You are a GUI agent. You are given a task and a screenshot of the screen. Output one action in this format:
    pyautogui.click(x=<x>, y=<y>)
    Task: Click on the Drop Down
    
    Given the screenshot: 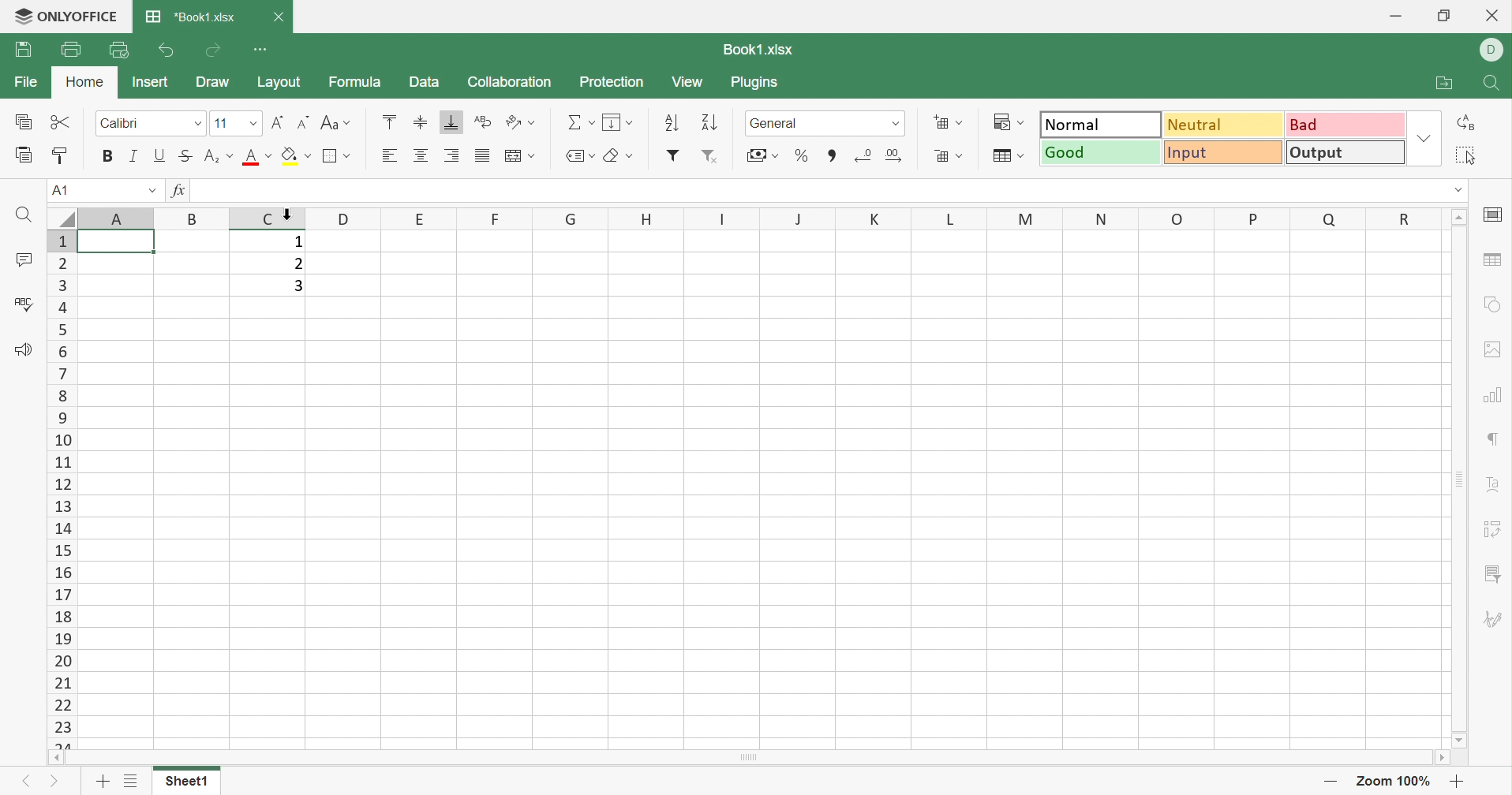 What is the action you would take?
    pyautogui.click(x=894, y=124)
    